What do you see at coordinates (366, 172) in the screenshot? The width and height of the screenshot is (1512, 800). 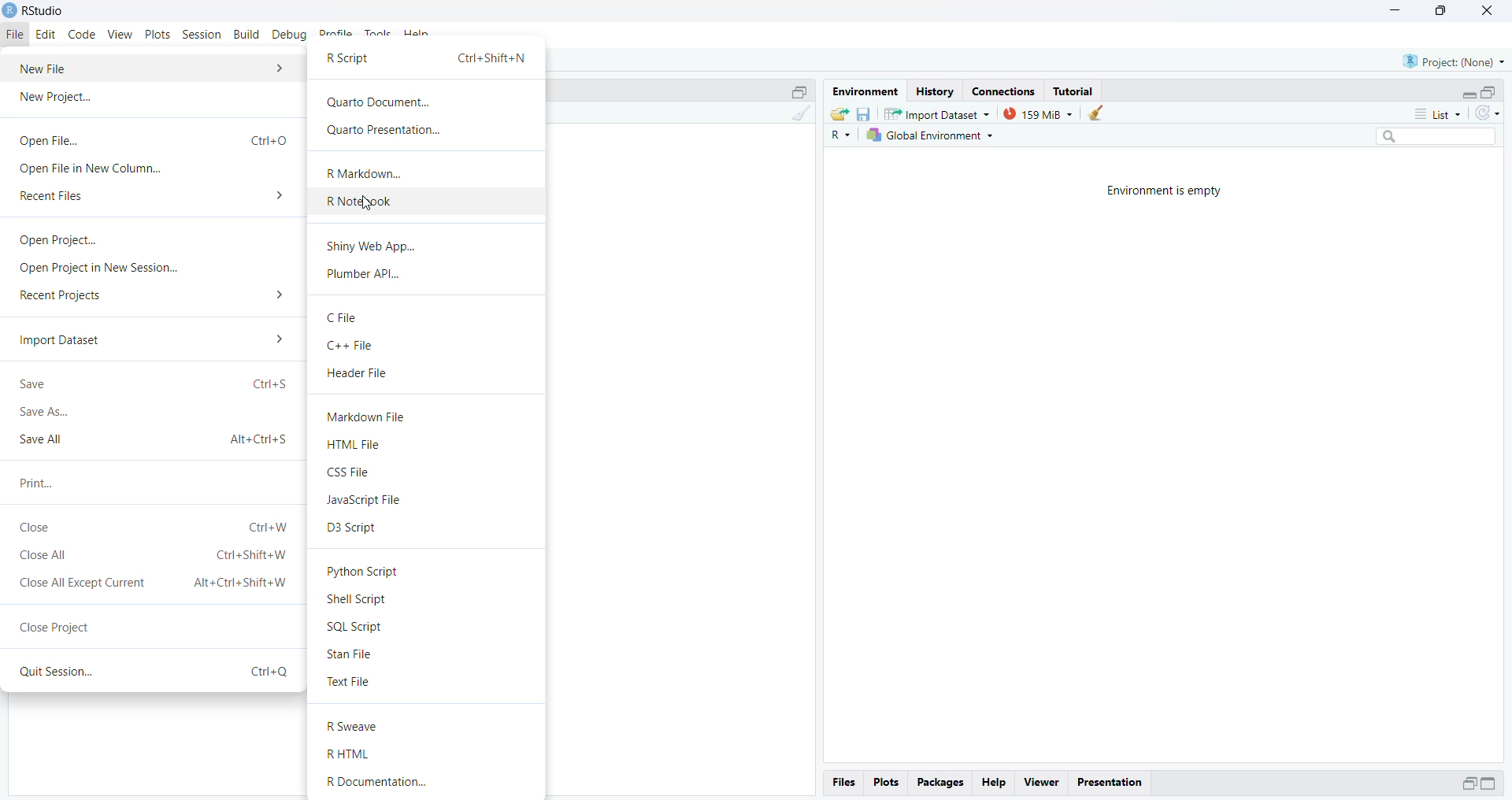 I see `R Markdown...` at bounding box center [366, 172].